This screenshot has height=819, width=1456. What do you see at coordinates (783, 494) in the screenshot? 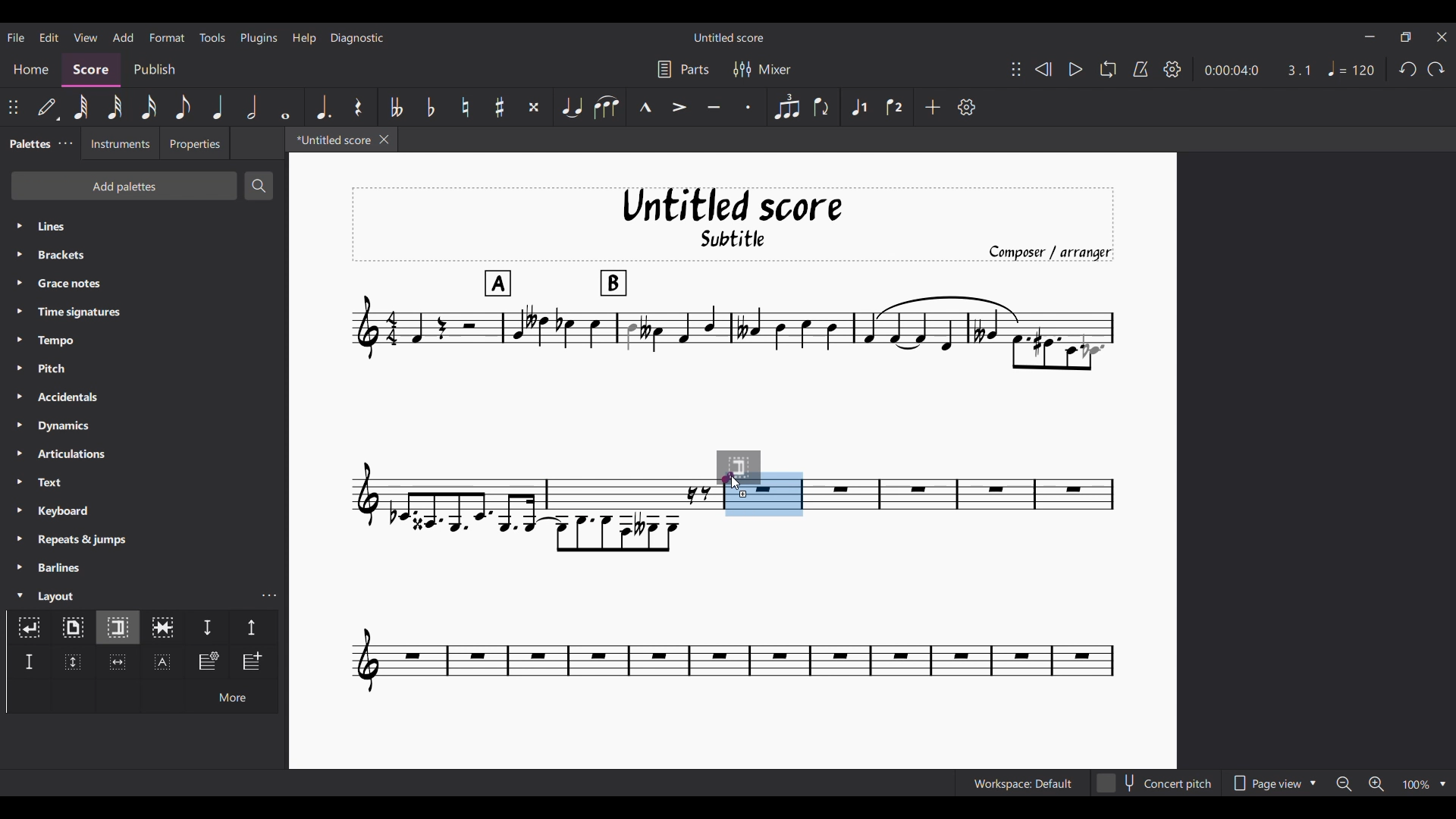
I see `Selected measure highlighted` at bounding box center [783, 494].